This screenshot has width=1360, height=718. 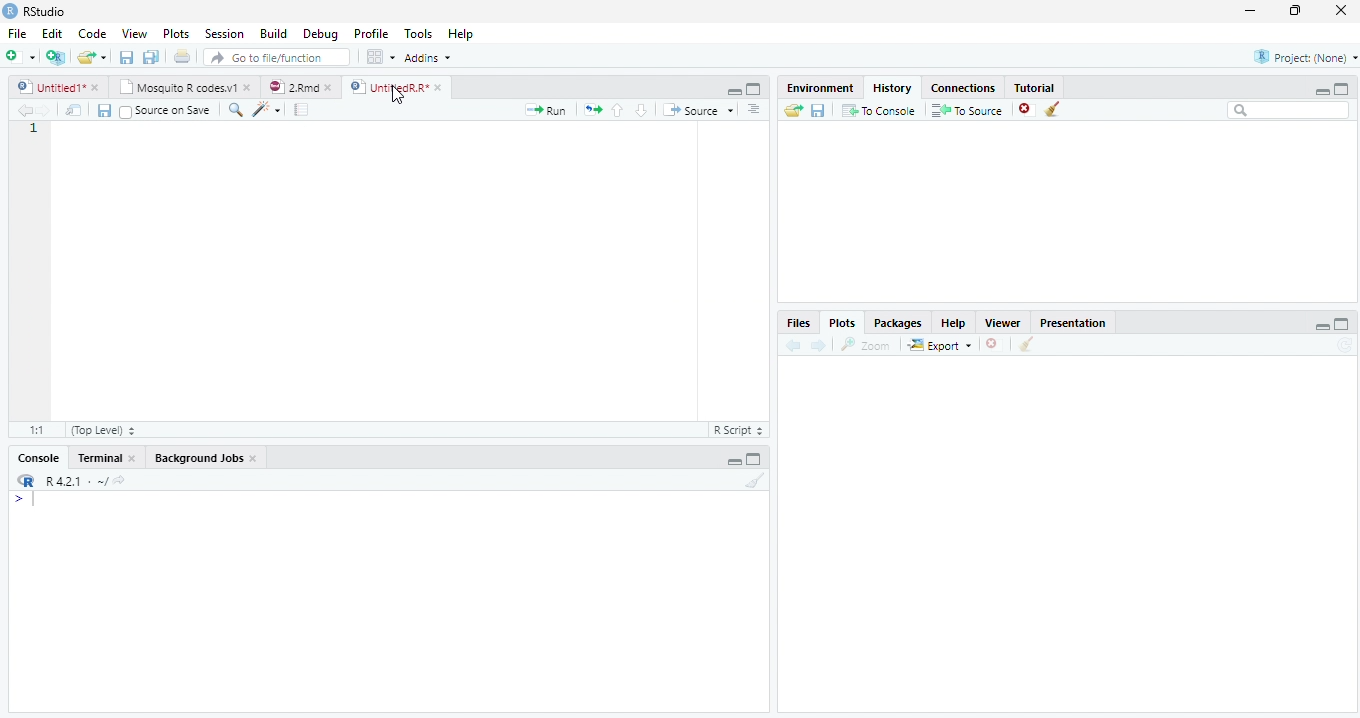 What do you see at coordinates (818, 88) in the screenshot?
I see `Environment` at bounding box center [818, 88].